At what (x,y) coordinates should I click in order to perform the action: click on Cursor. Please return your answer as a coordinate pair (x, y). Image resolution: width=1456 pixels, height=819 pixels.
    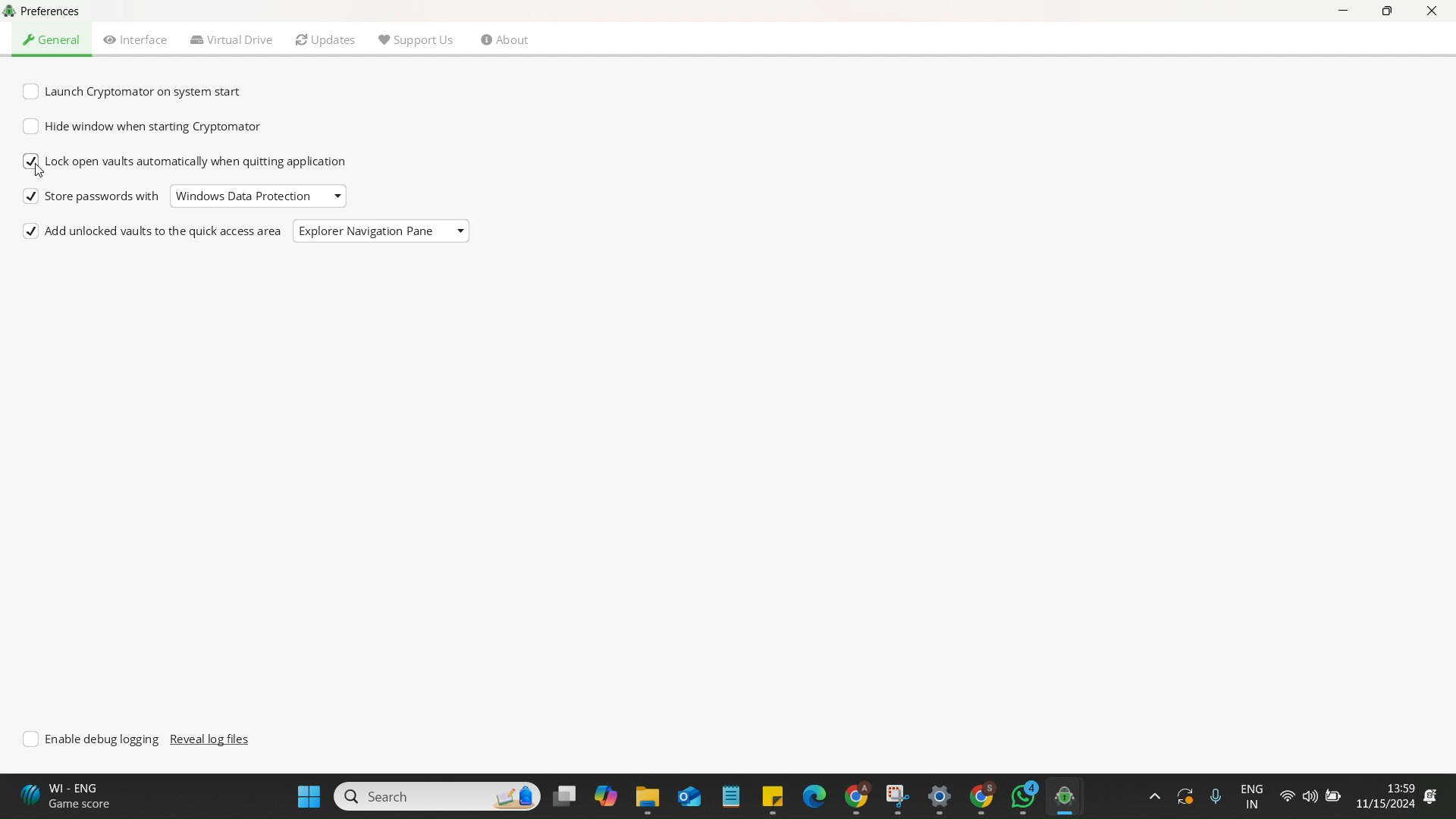
    Looking at the image, I should click on (42, 168).